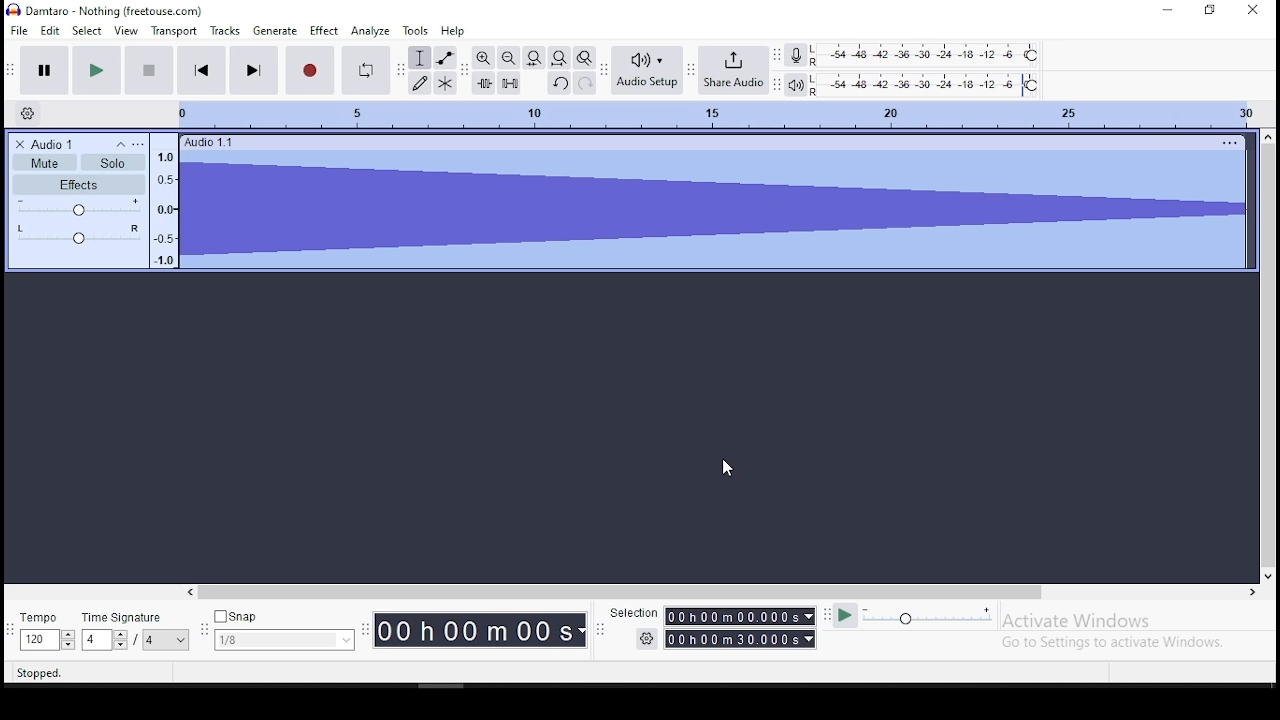 This screenshot has height=720, width=1280. What do you see at coordinates (446, 83) in the screenshot?
I see `multi tool` at bounding box center [446, 83].